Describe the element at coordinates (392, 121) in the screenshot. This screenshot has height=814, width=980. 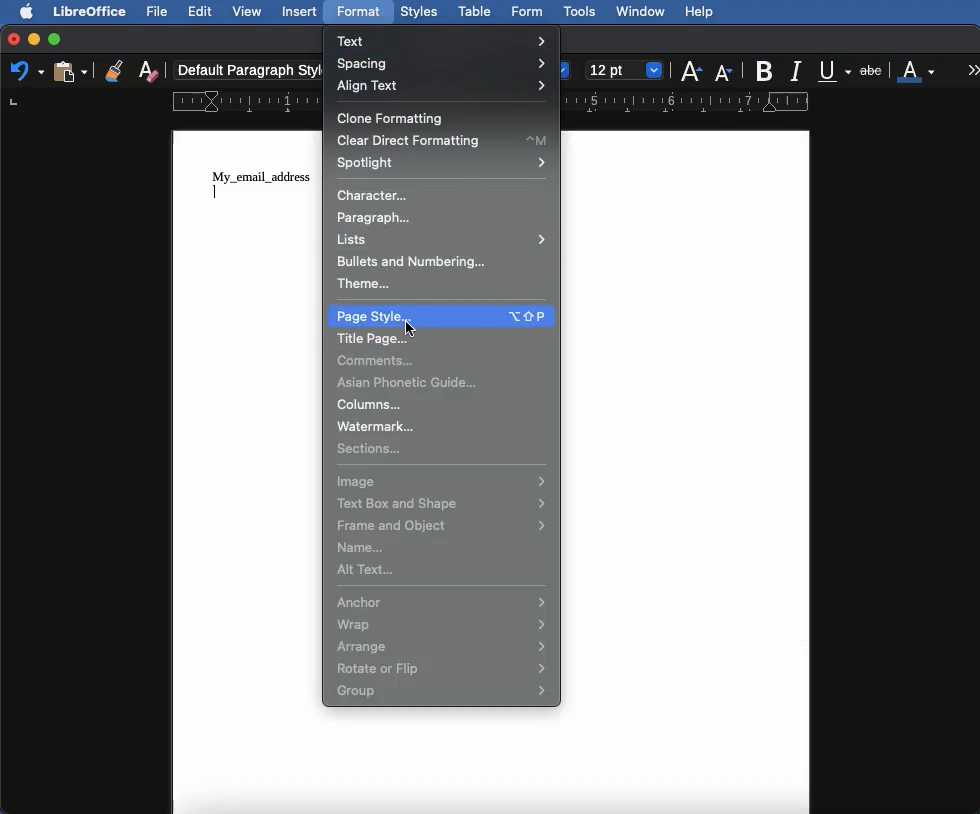
I see `Clone formatting` at that location.